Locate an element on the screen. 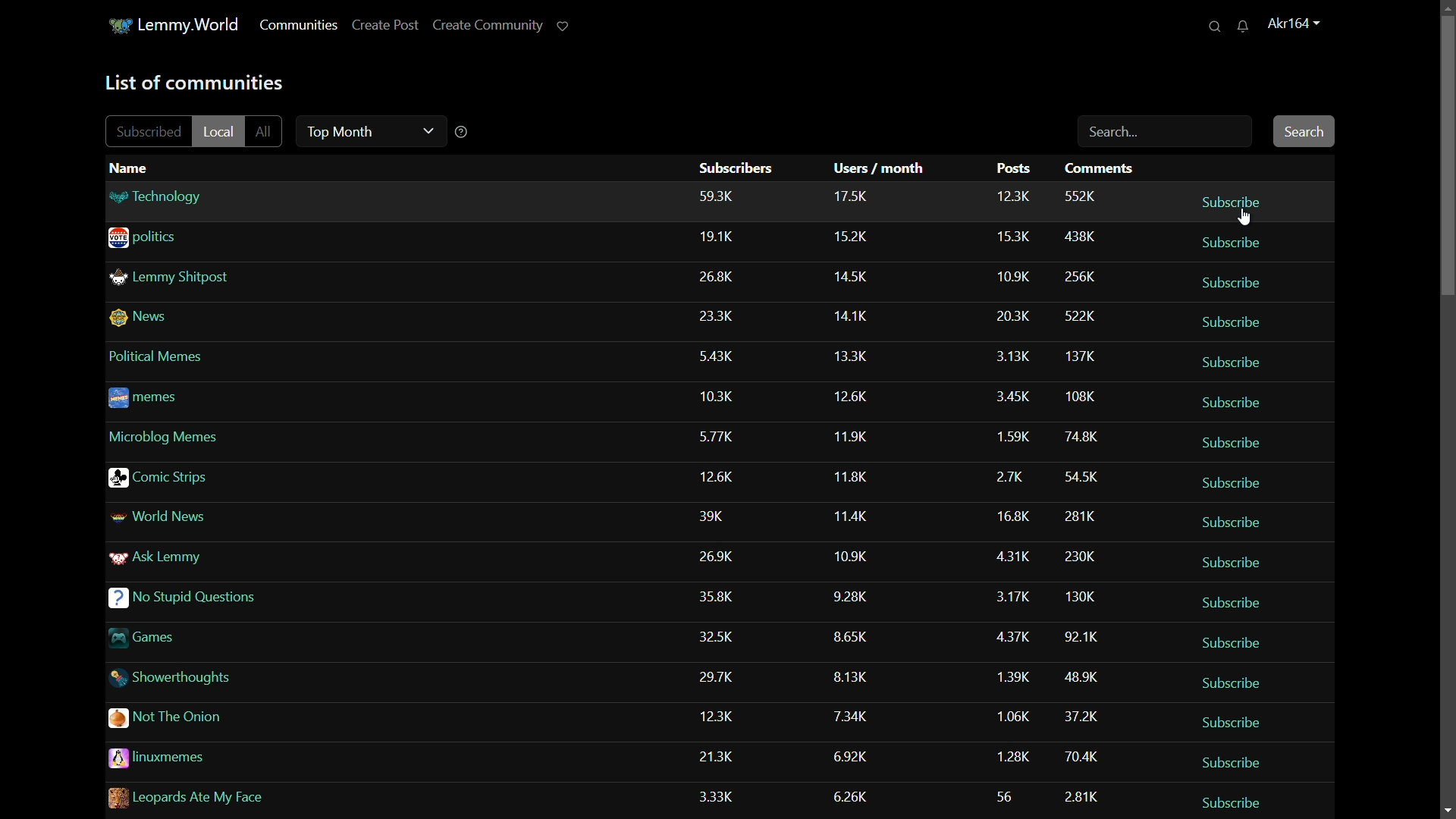  user per month is located at coordinates (859, 795).